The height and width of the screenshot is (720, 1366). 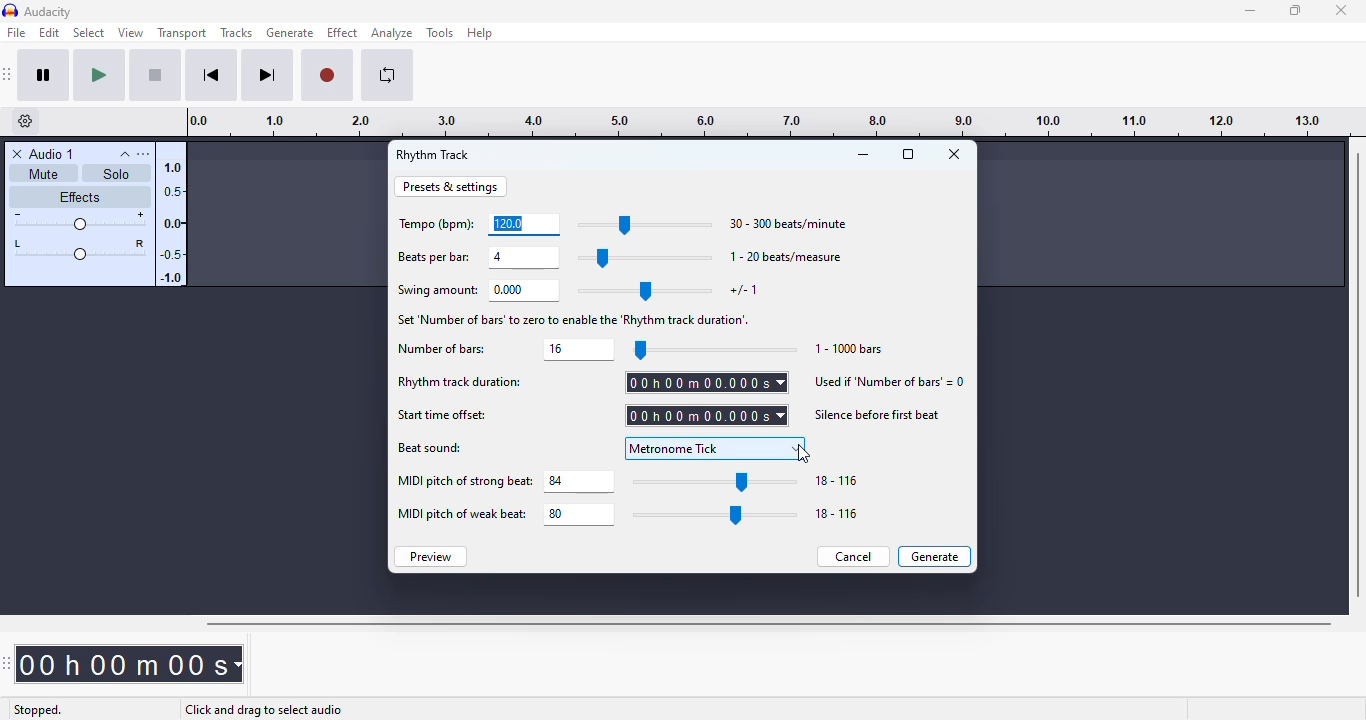 I want to click on tools, so click(x=439, y=33).